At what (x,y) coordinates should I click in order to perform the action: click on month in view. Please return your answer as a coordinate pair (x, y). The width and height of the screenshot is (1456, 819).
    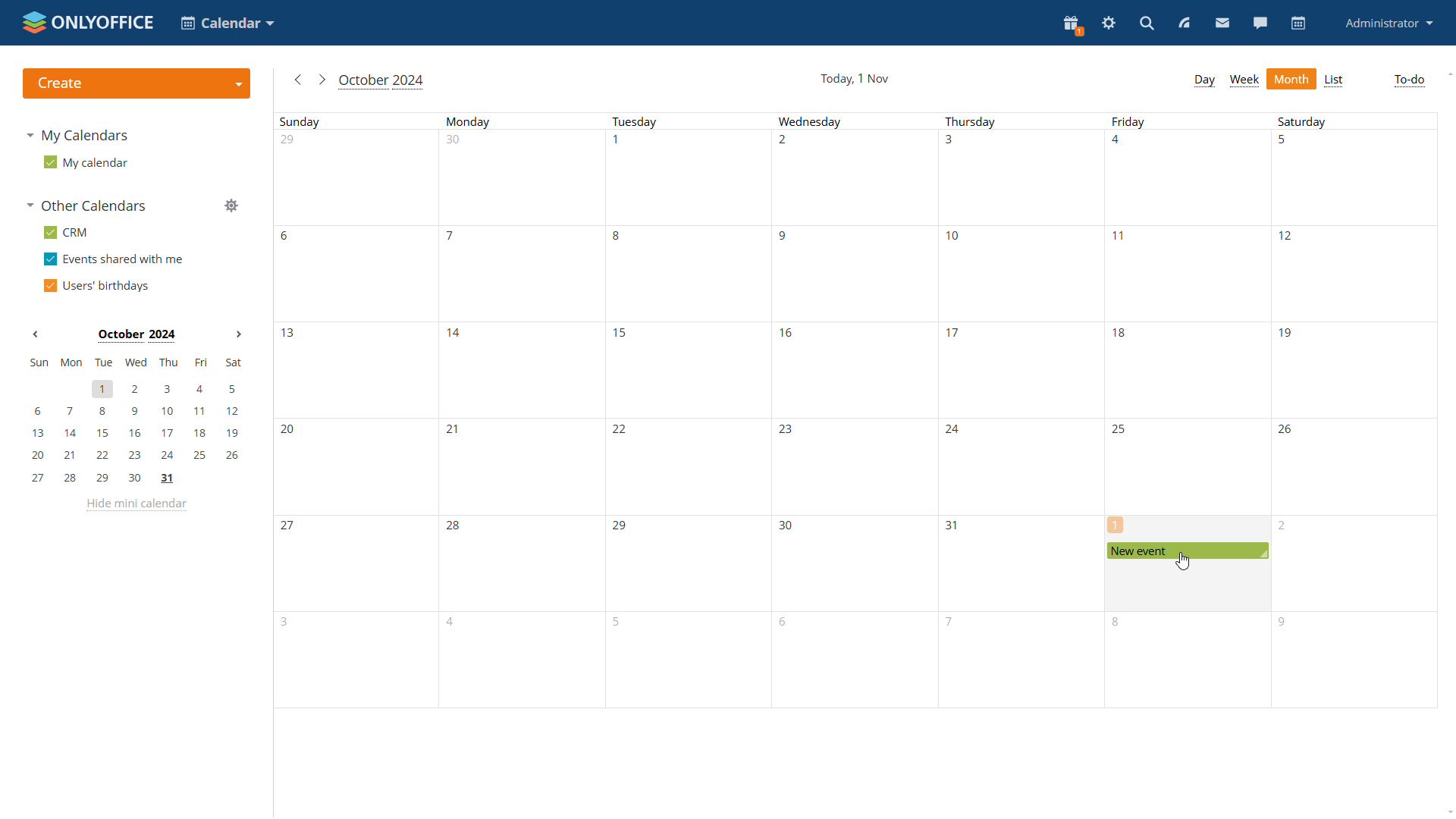
    Looking at the image, I should click on (384, 82).